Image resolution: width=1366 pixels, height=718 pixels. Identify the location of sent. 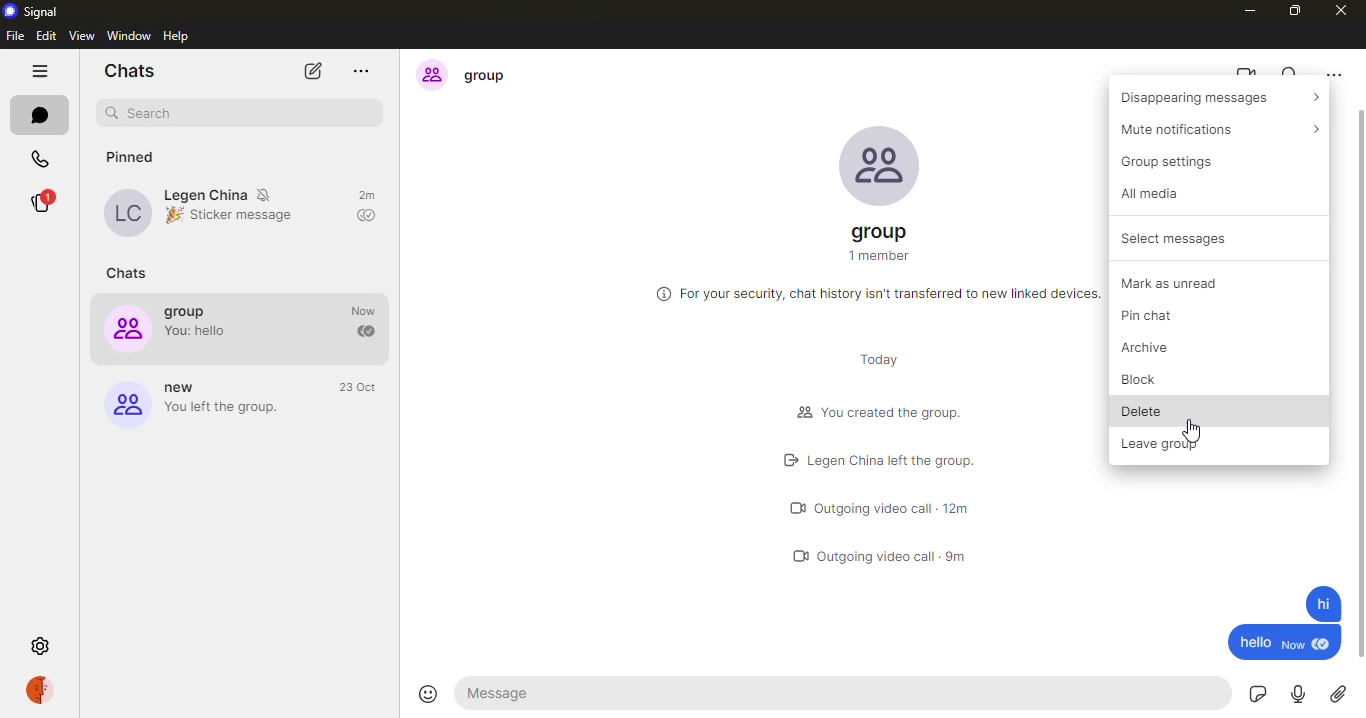
(367, 217).